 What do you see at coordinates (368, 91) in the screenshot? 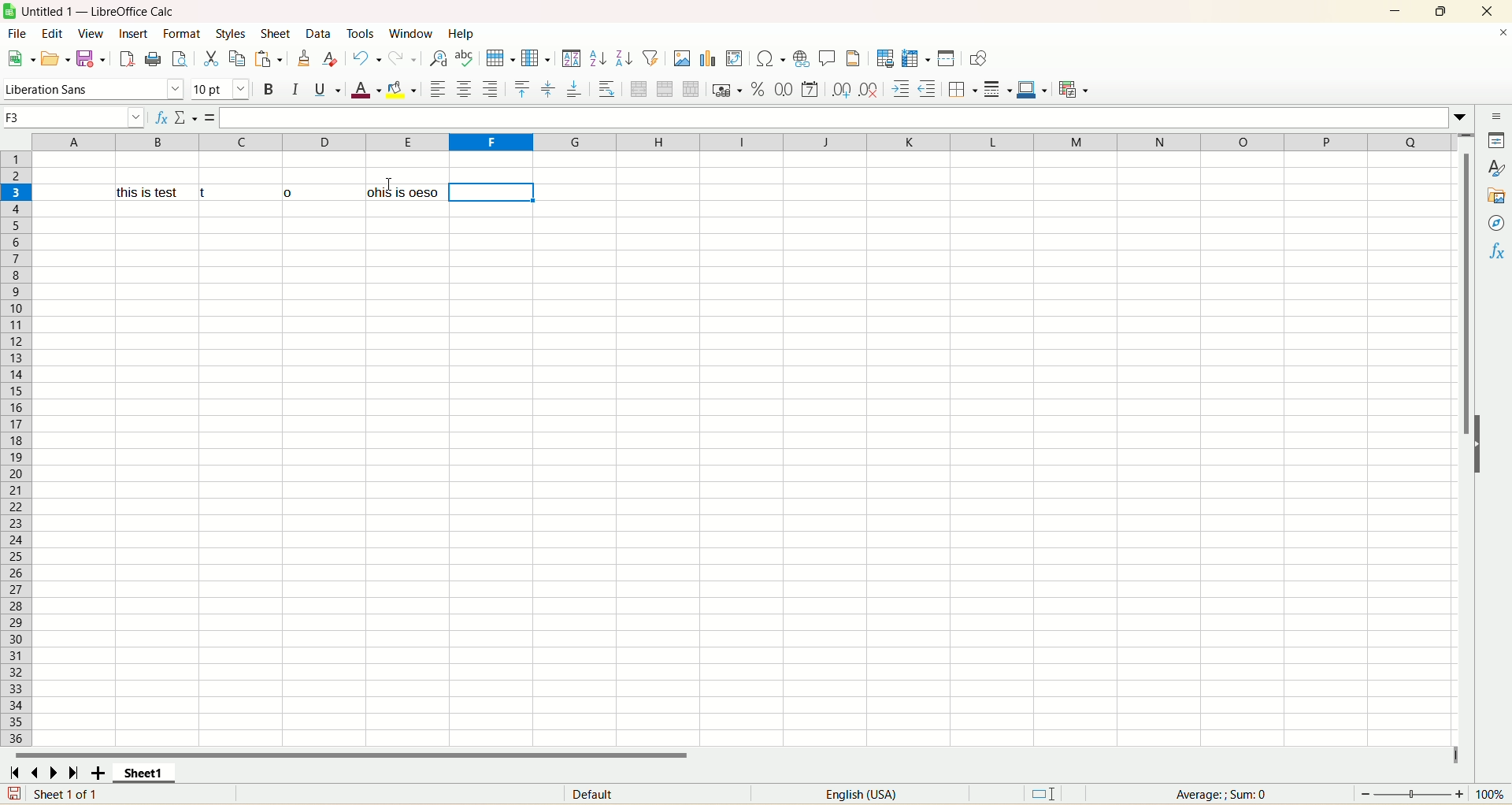
I see `font color` at bounding box center [368, 91].